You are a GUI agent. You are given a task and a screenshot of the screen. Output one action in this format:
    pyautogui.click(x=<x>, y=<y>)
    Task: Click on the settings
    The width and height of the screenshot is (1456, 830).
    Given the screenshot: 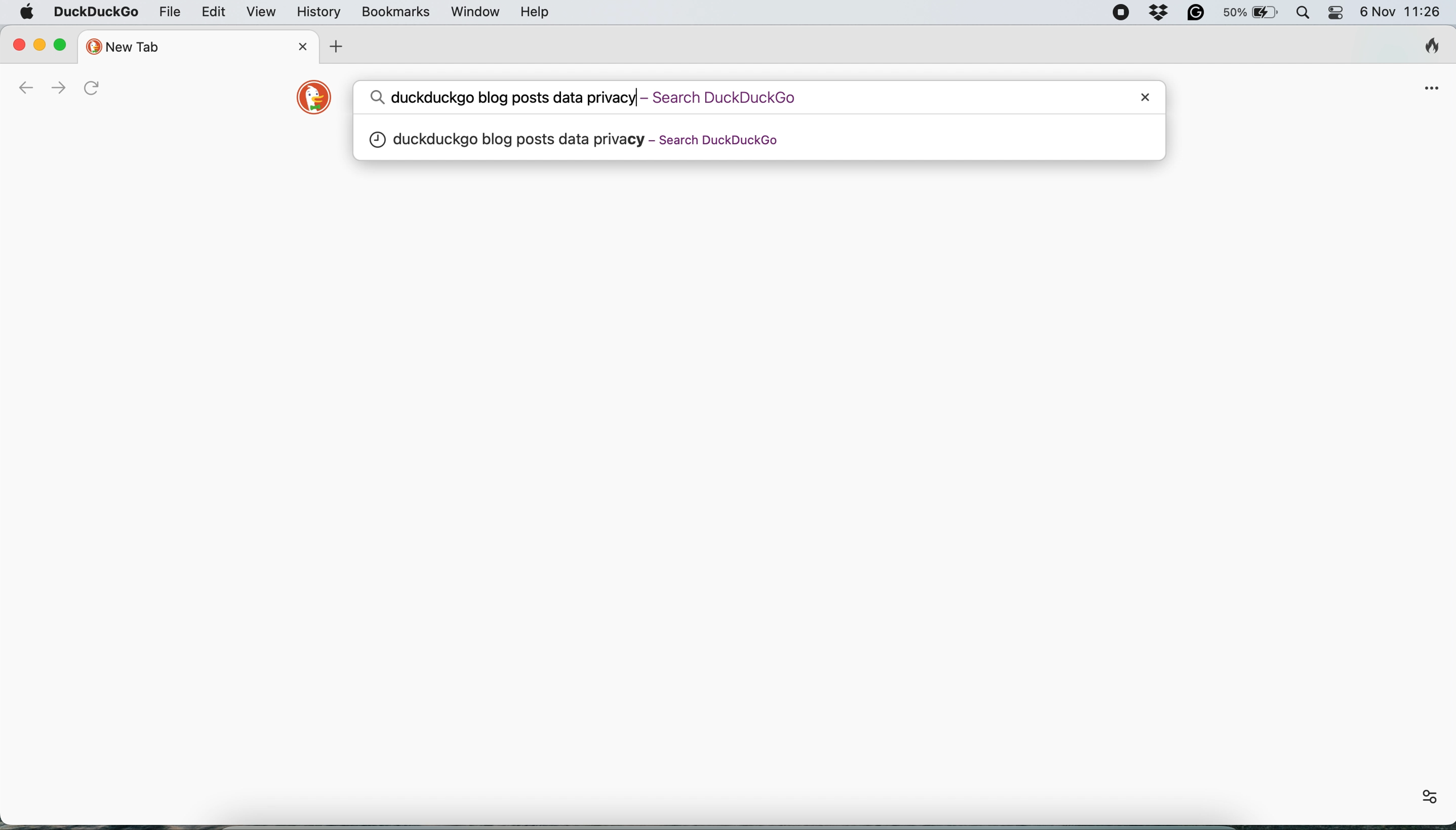 What is the action you would take?
    pyautogui.click(x=1426, y=797)
    